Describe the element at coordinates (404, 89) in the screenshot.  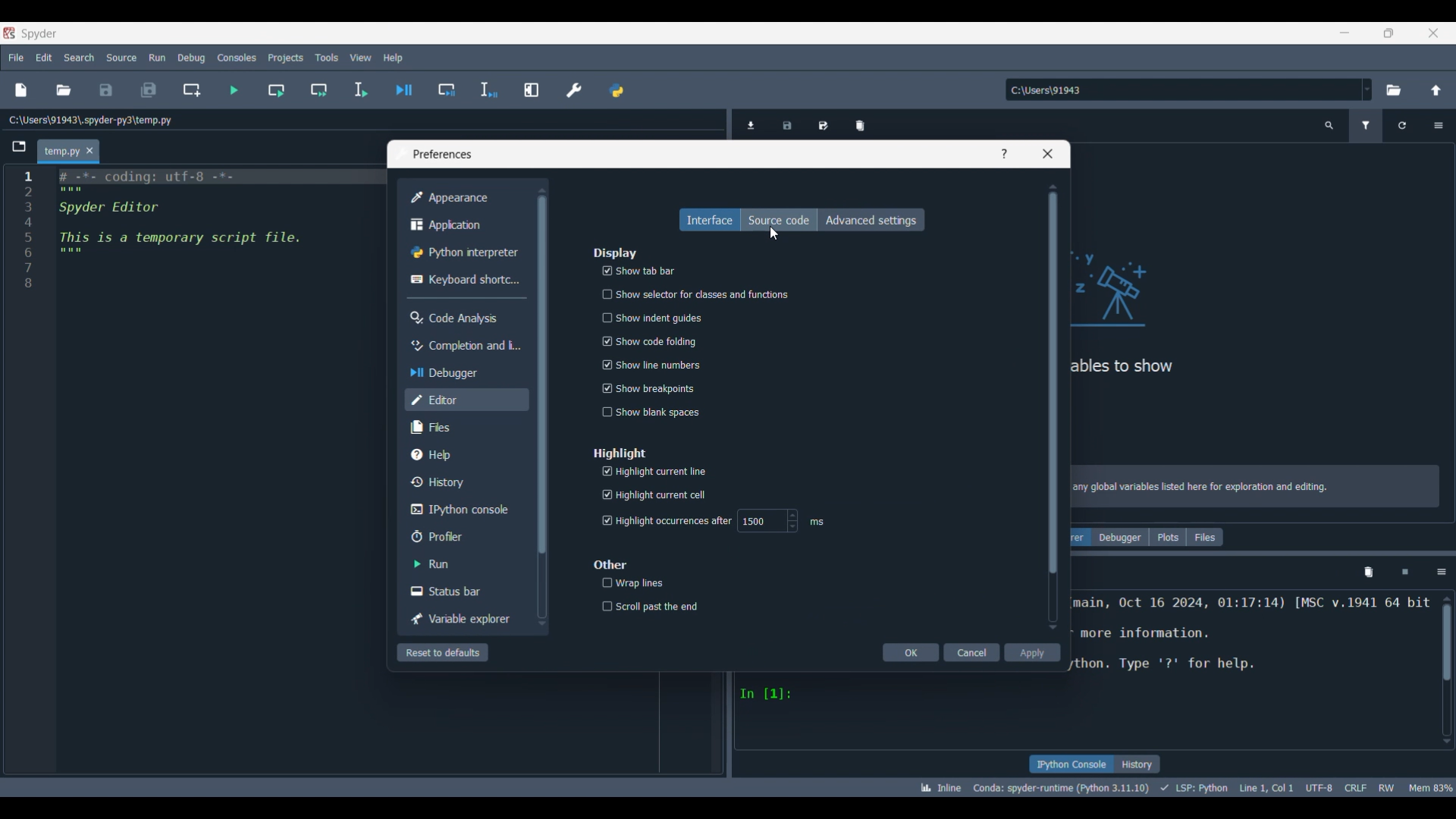
I see `Debug file` at that location.